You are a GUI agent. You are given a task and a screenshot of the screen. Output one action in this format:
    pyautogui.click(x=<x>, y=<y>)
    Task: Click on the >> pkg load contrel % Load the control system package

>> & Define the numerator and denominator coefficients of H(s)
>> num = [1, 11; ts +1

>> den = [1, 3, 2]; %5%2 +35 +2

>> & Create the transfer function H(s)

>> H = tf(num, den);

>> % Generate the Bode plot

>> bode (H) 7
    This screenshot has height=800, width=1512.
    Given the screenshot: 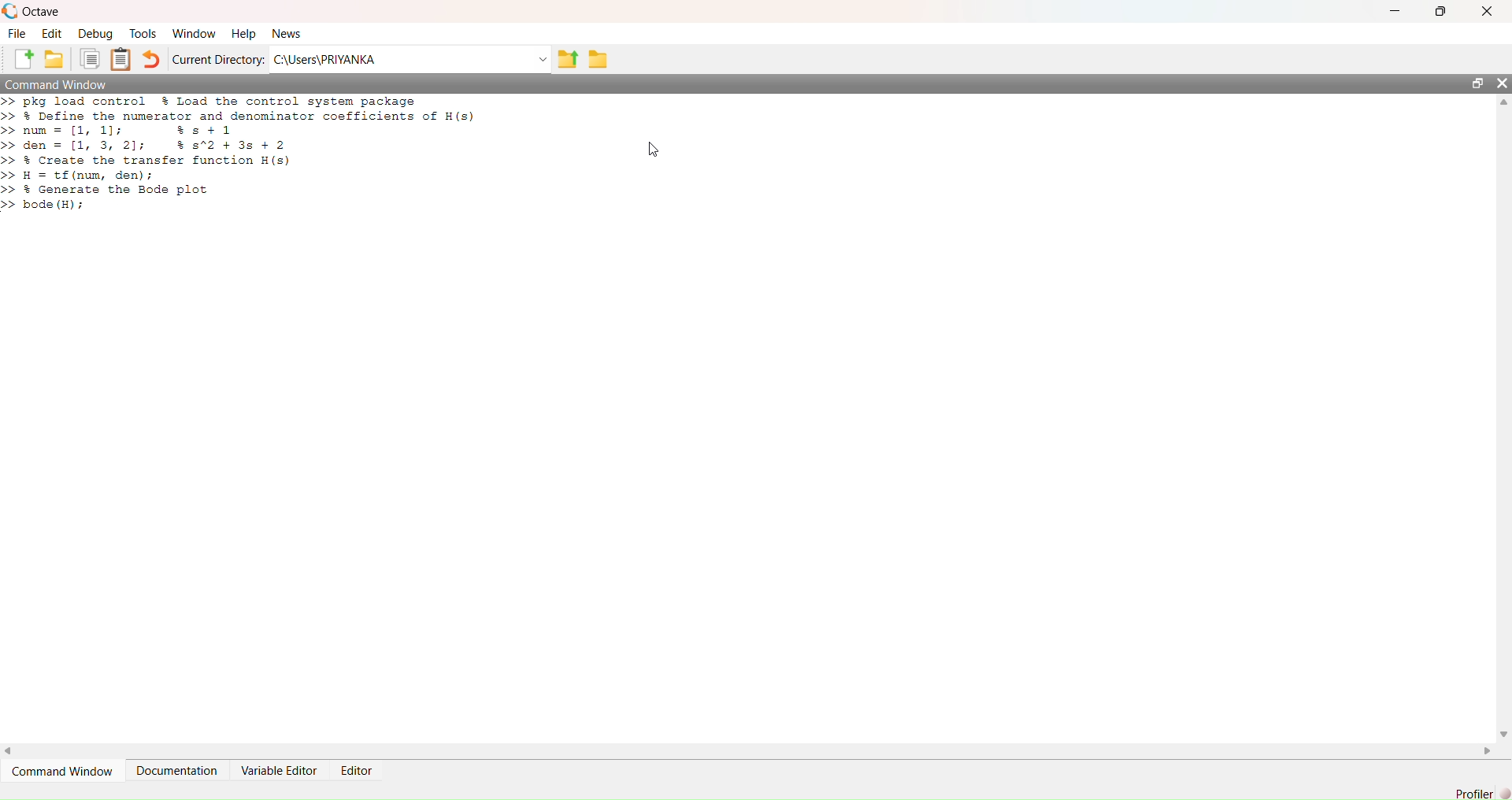 What is the action you would take?
    pyautogui.click(x=247, y=154)
    